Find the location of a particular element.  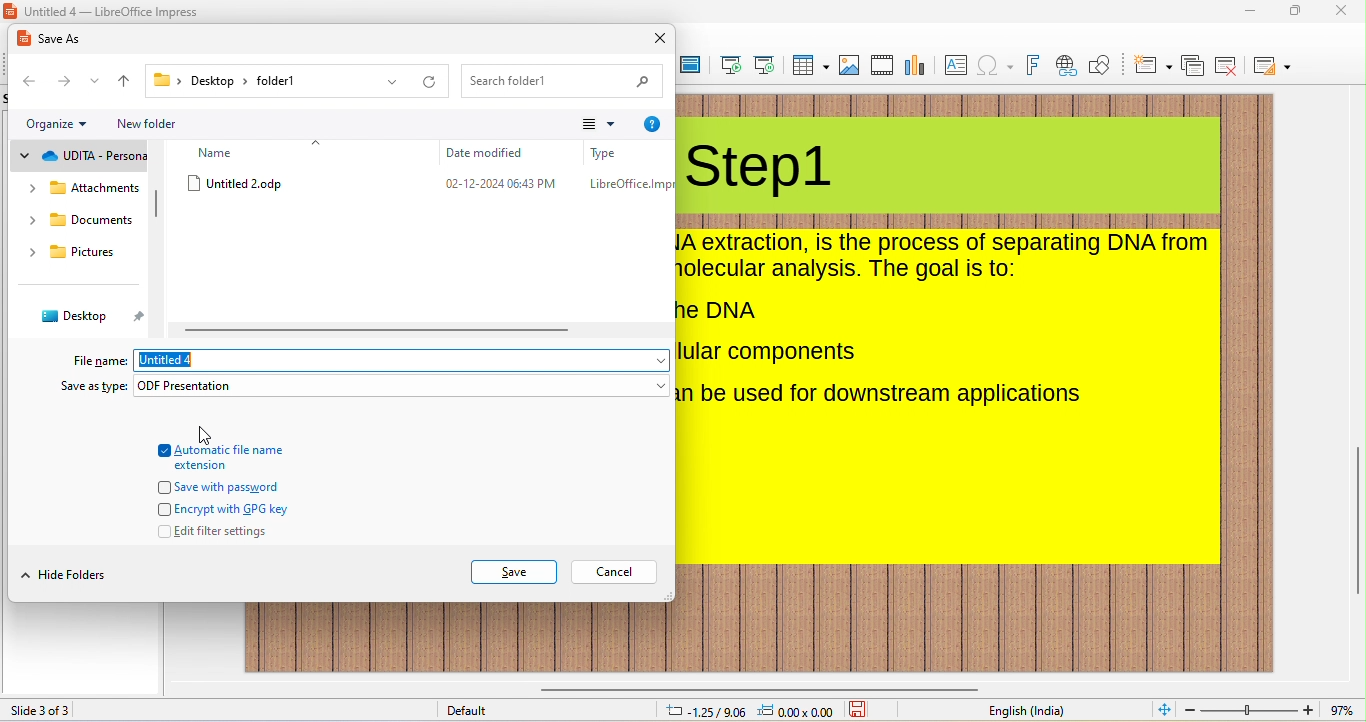

minimize is located at coordinates (1252, 12).